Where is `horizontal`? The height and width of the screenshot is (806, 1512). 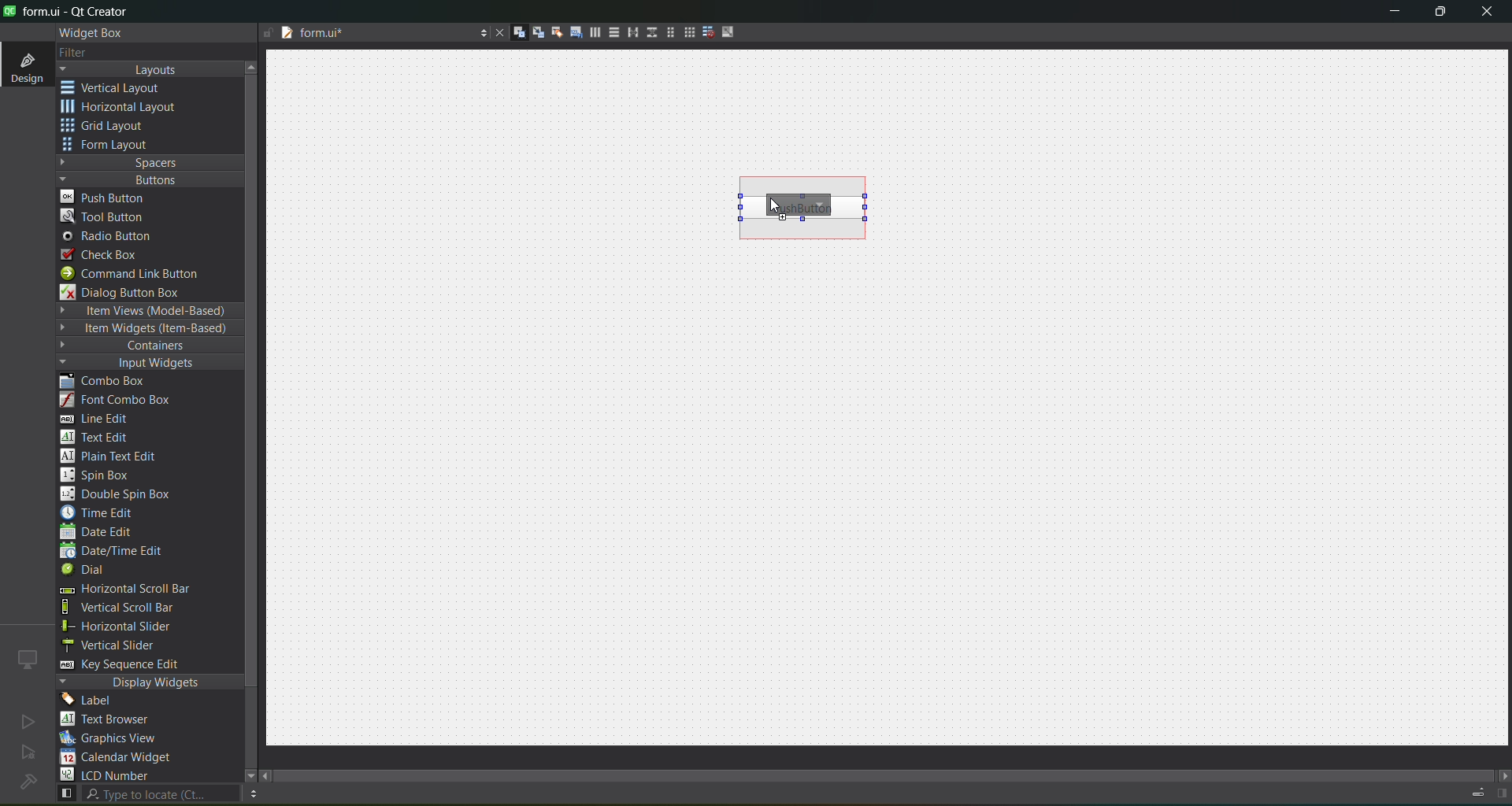
horizontal is located at coordinates (122, 109).